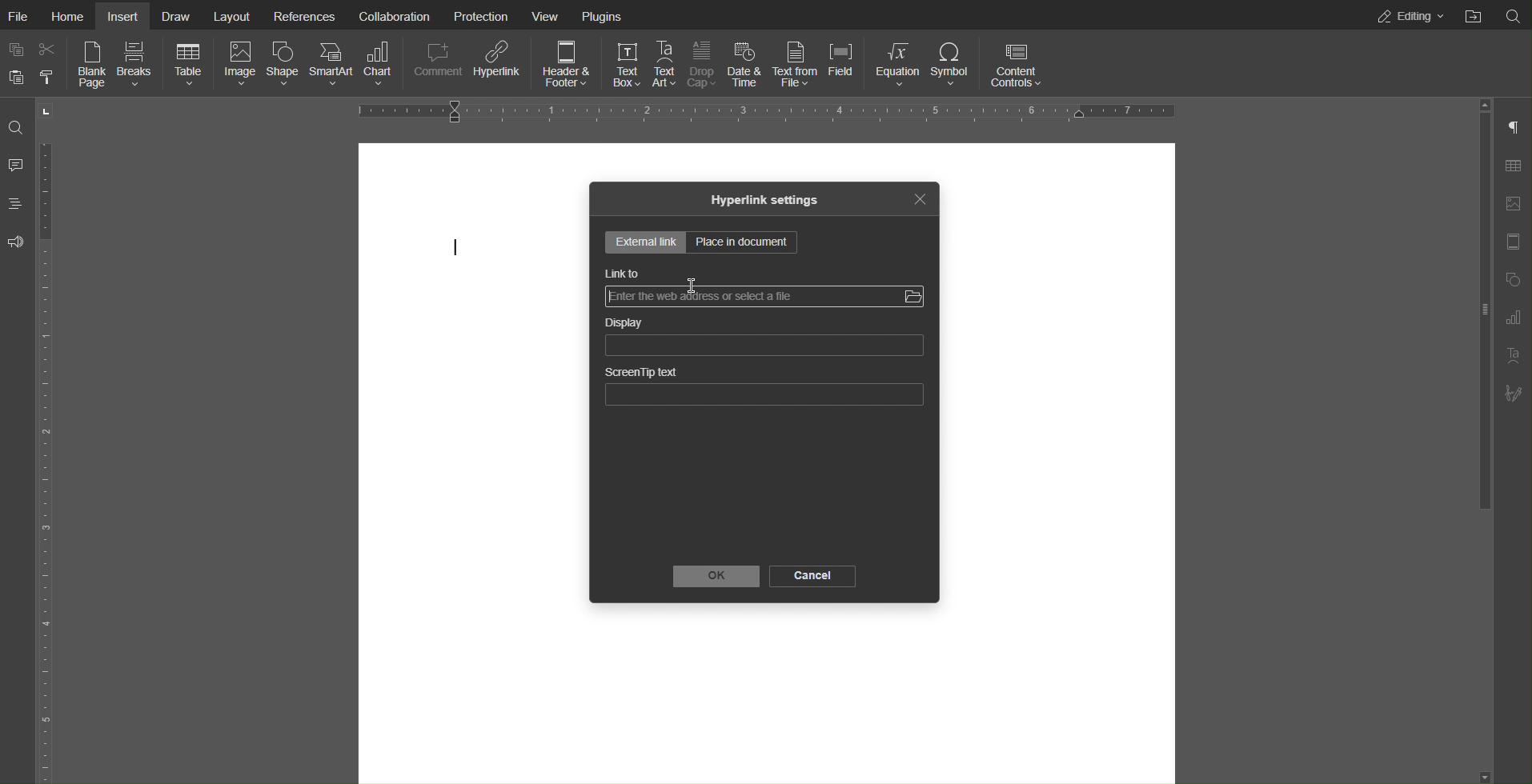  I want to click on Shape, so click(284, 66).